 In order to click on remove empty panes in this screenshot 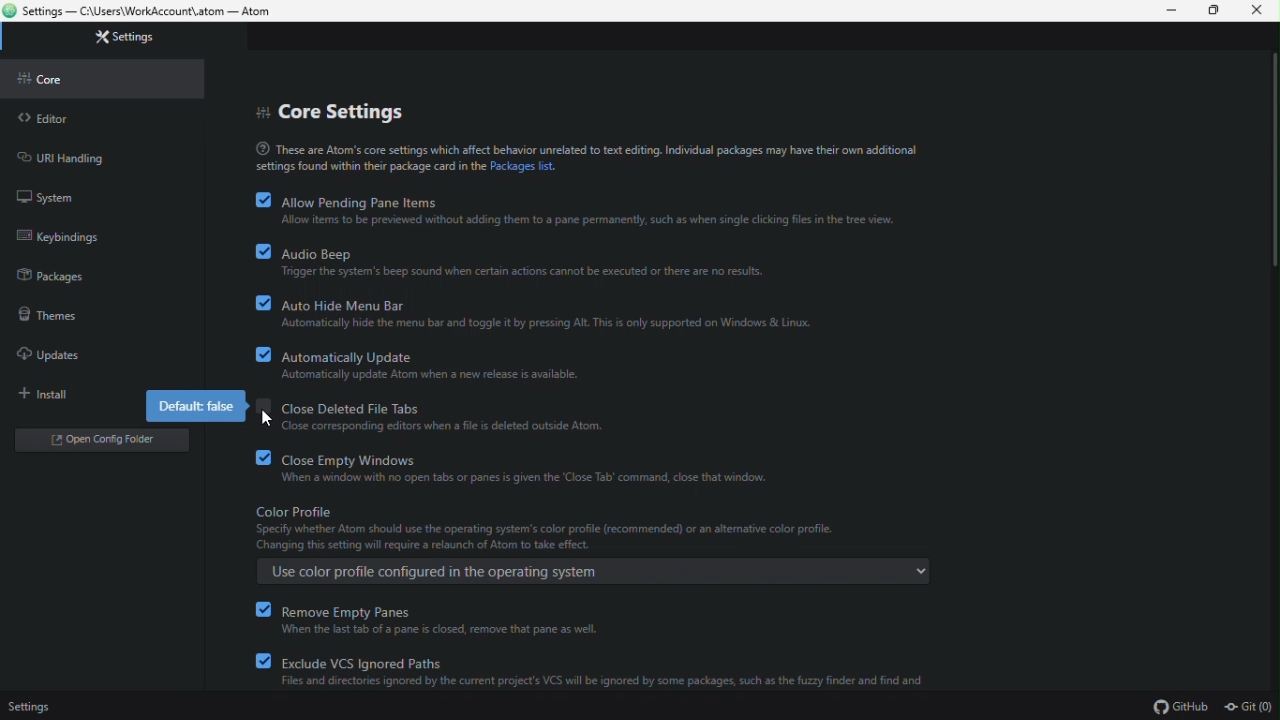, I will do `click(449, 619)`.